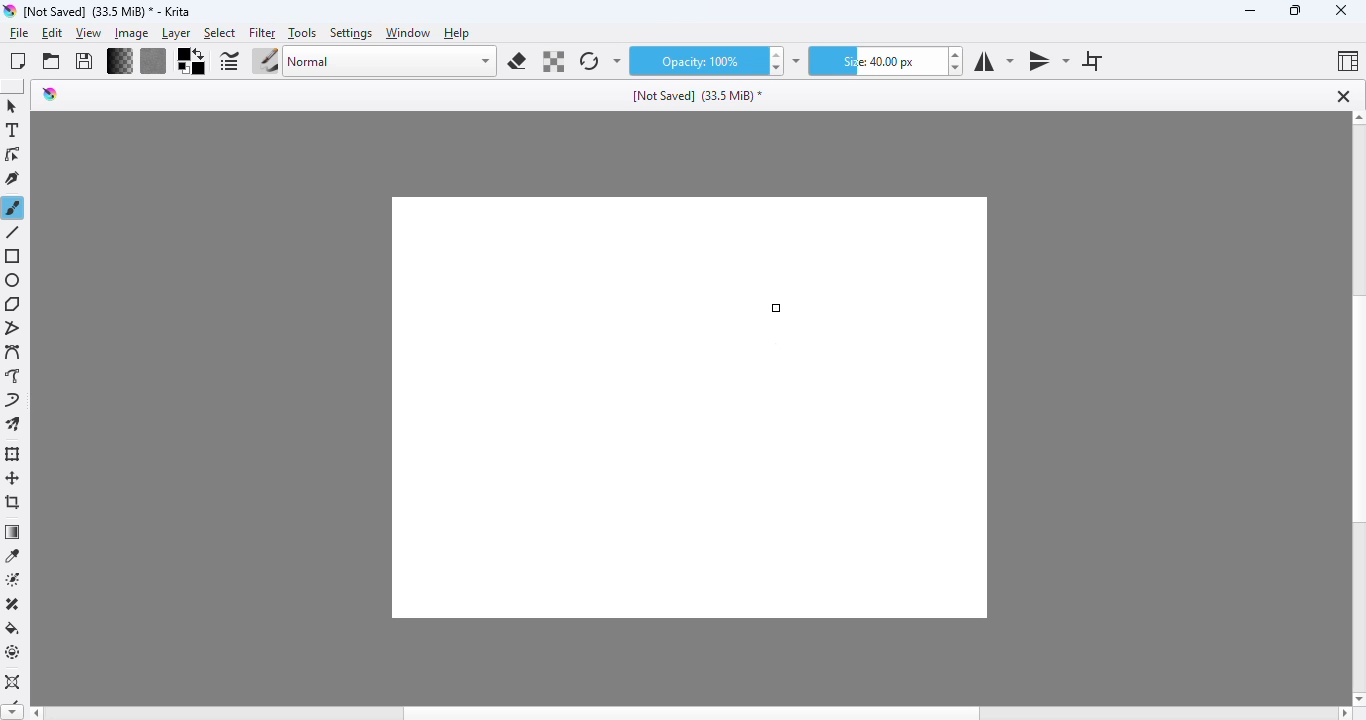 This screenshot has height=720, width=1366. I want to click on settings, so click(352, 33).